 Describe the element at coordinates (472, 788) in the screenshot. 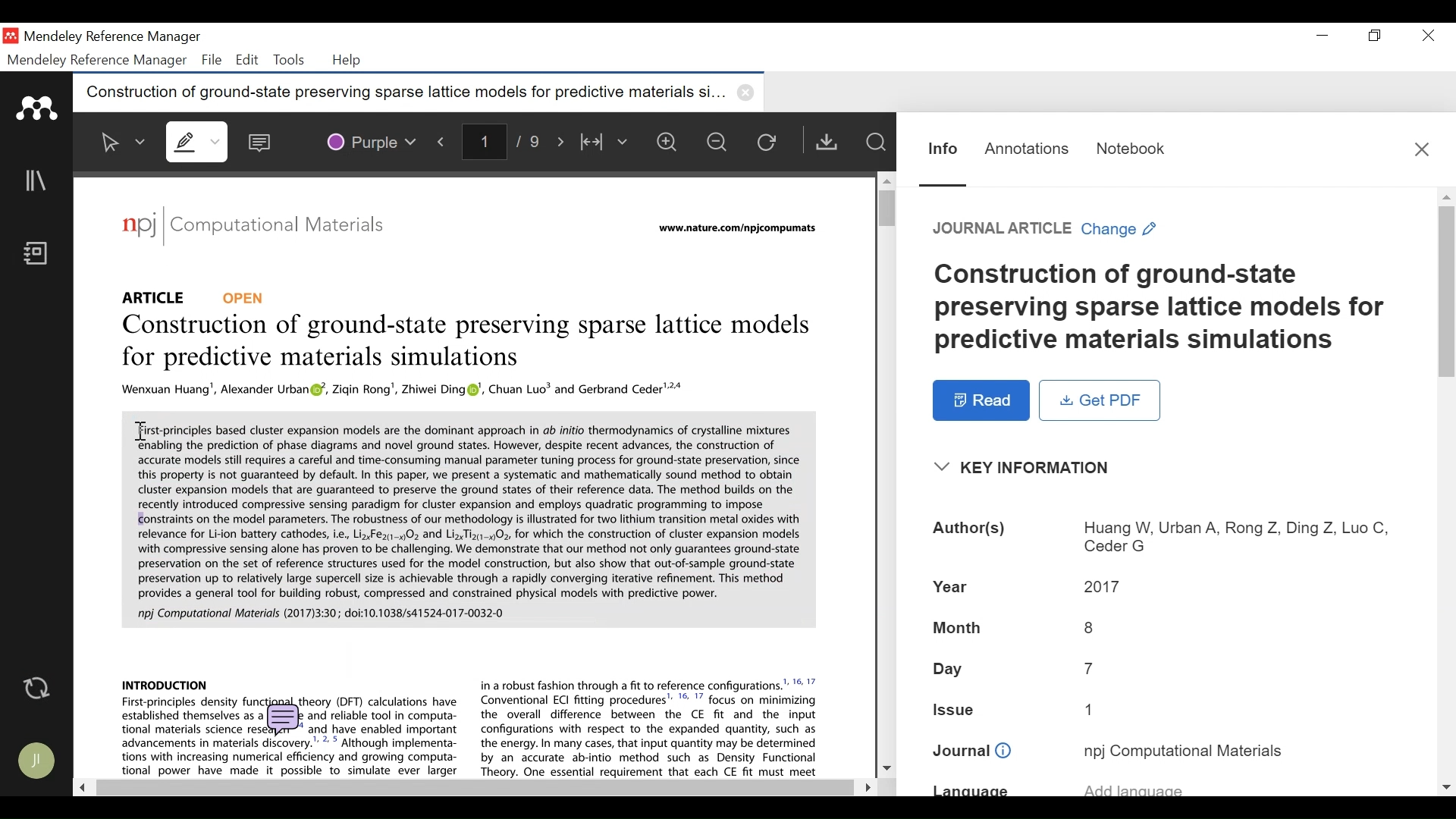

I see `Horizontal Scroll bar` at that location.